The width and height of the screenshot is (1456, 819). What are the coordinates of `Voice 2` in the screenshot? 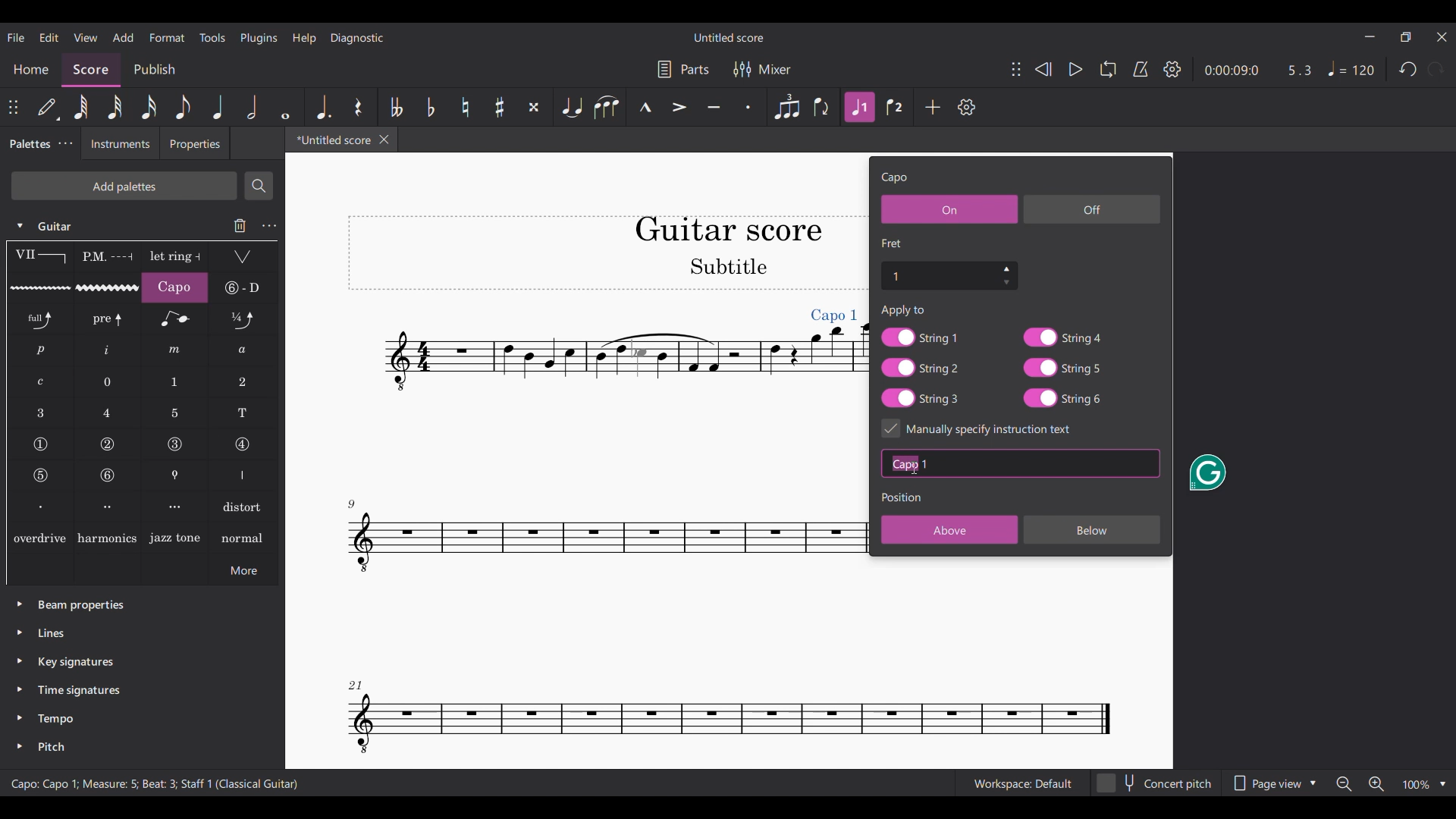 It's located at (896, 107).